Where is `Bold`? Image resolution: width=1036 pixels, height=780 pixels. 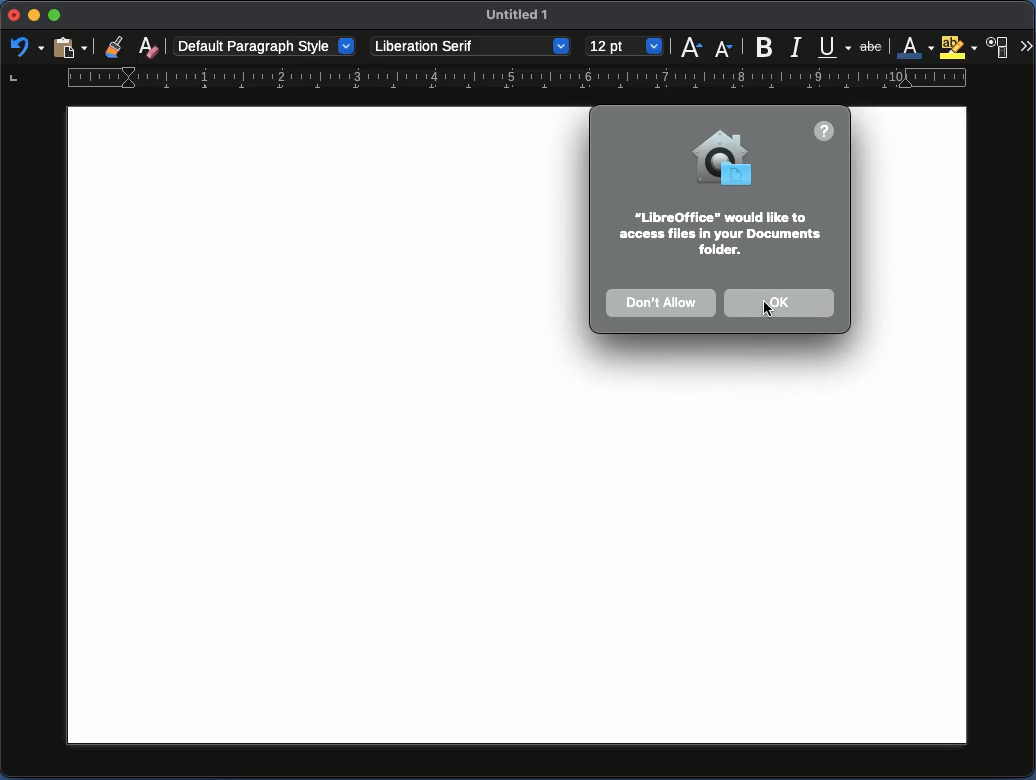 Bold is located at coordinates (765, 45).